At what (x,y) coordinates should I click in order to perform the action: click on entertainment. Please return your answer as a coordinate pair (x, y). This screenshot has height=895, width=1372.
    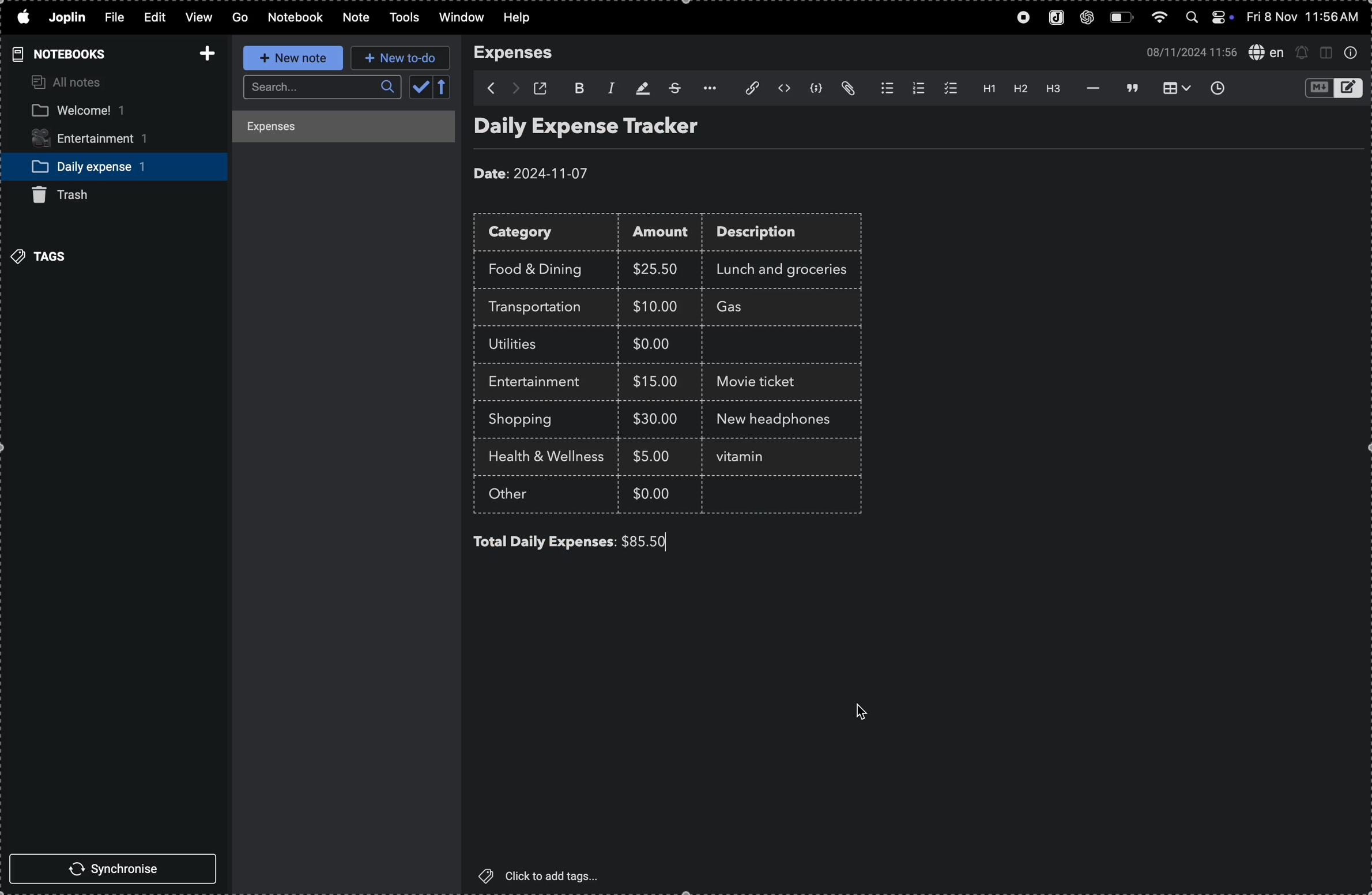
    Looking at the image, I should click on (541, 382).